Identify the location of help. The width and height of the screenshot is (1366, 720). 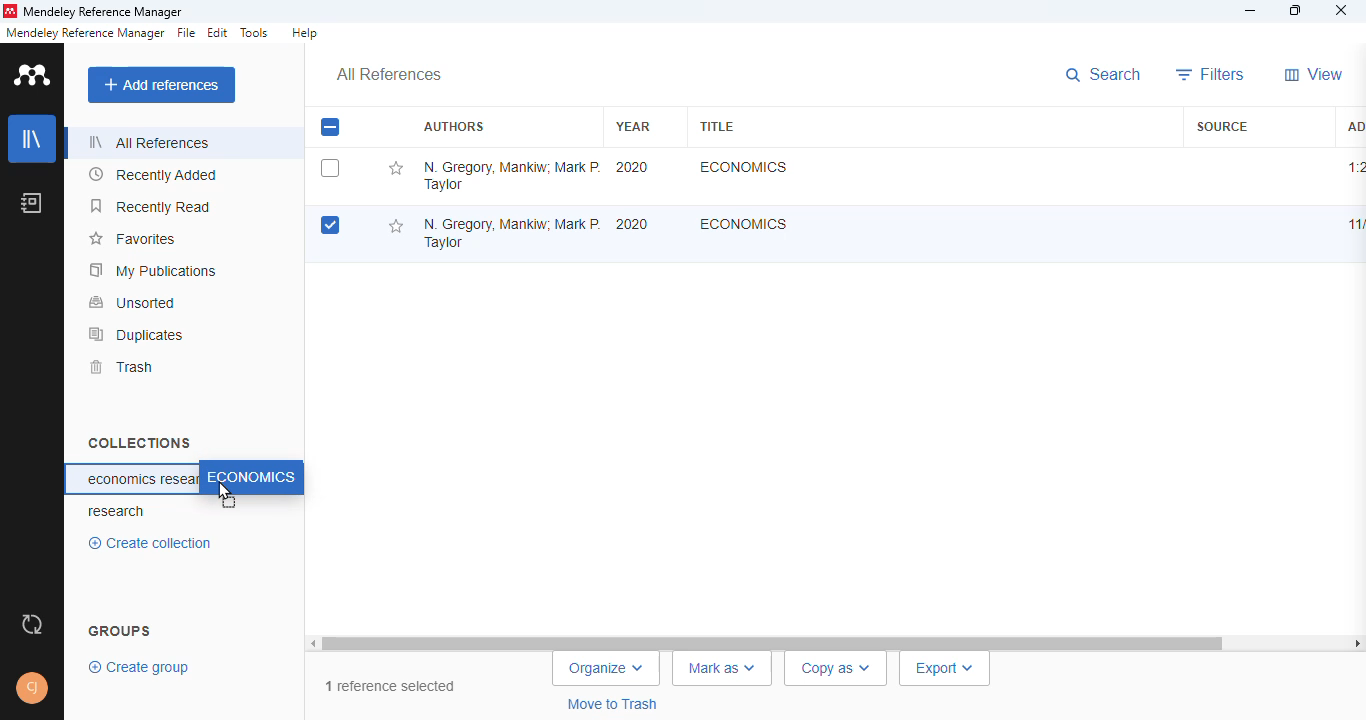
(304, 33).